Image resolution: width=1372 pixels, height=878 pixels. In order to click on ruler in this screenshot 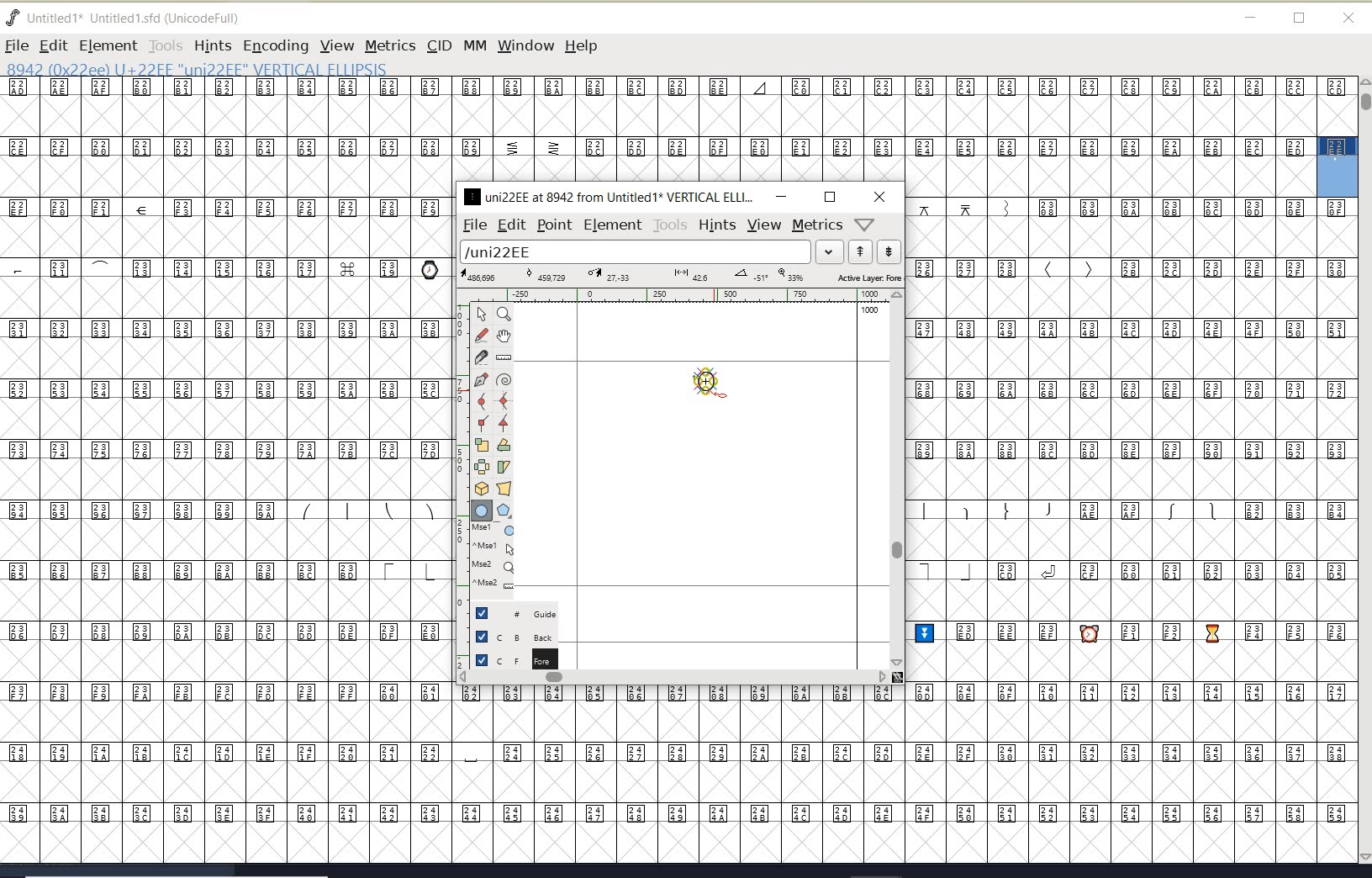, I will do `click(674, 297)`.